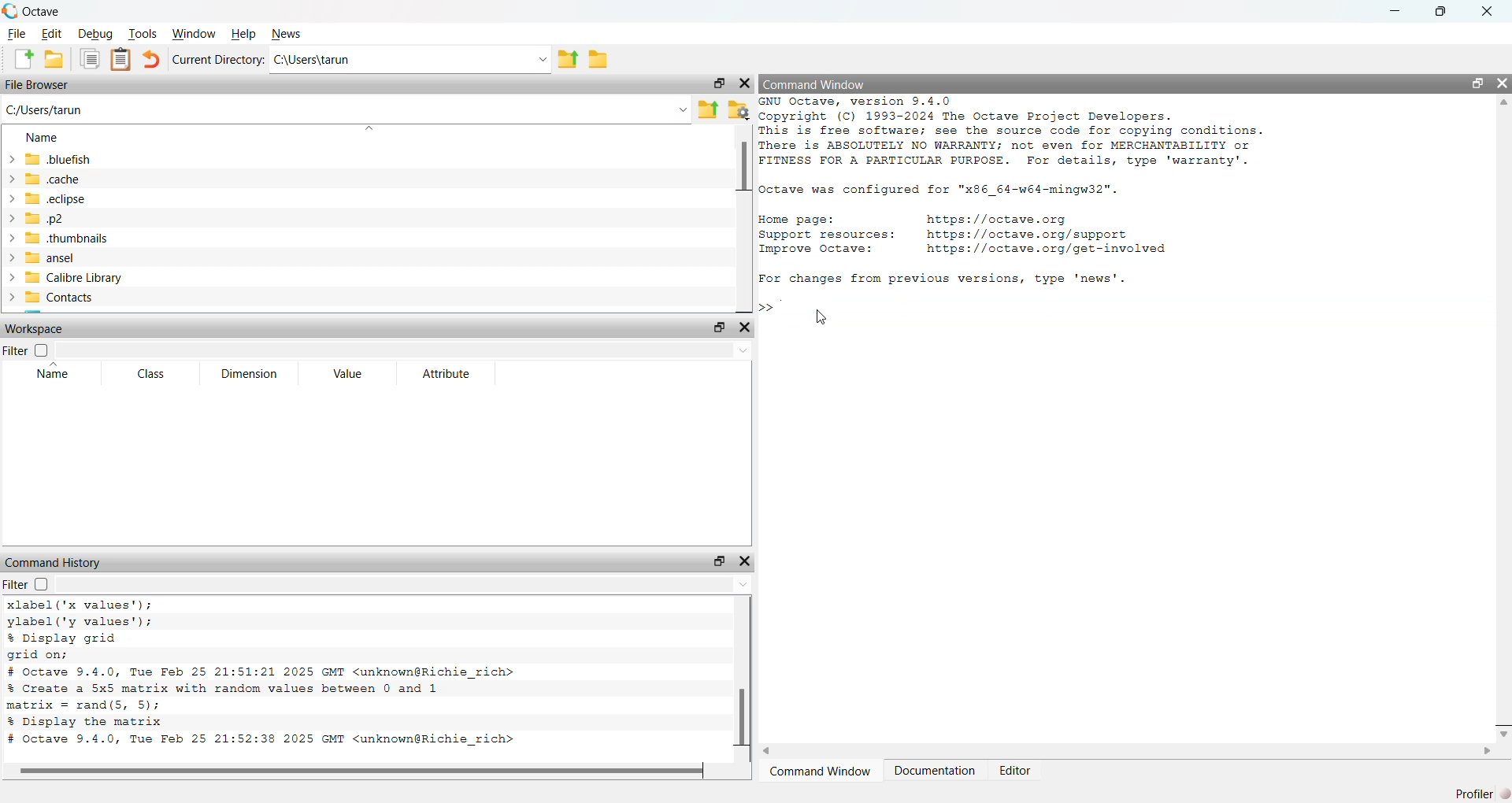 The width and height of the screenshot is (1512, 803). What do you see at coordinates (148, 375) in the screenshot?
I see `Class` at bounding box center [148, 375].